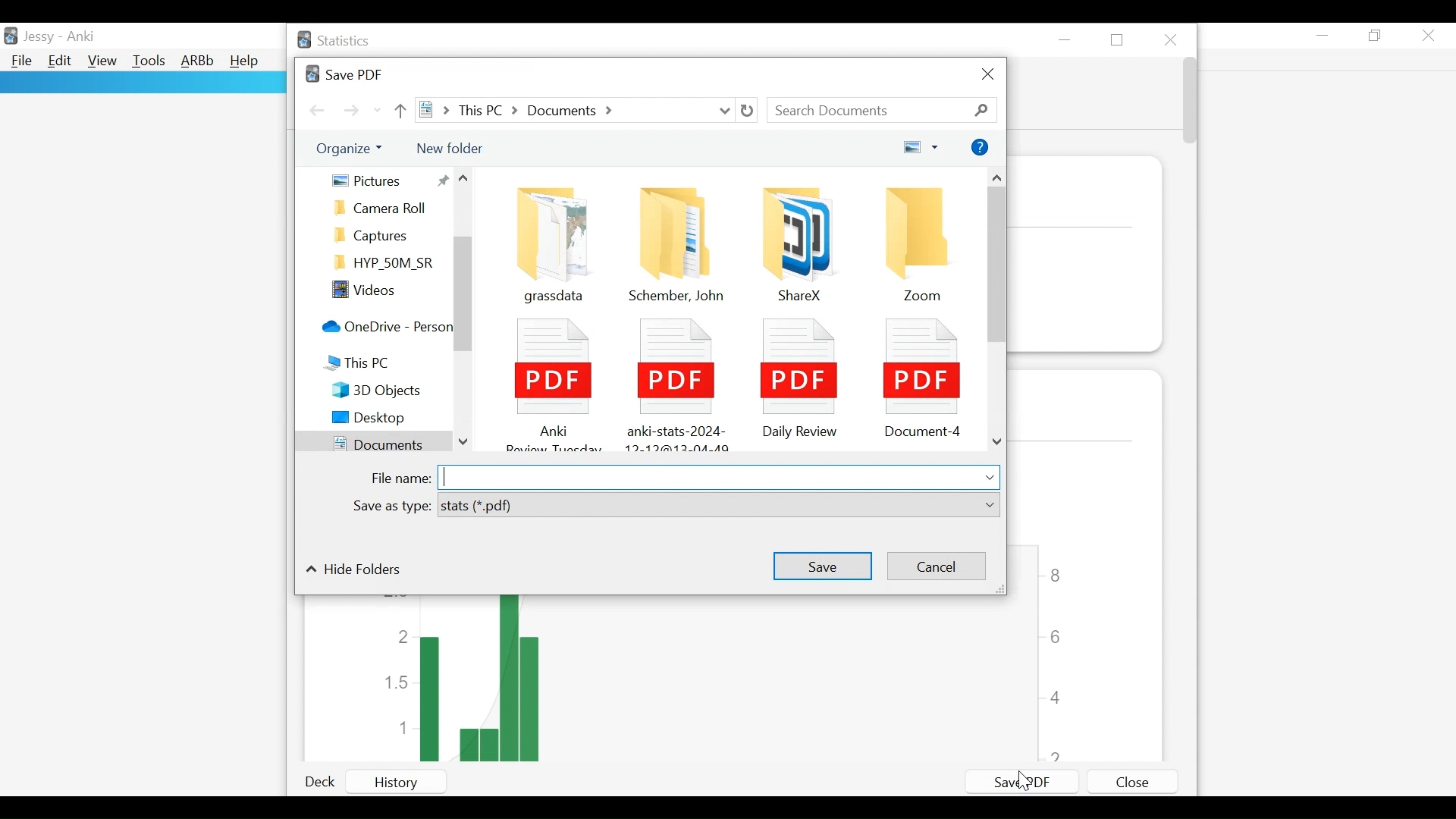 The image size is (1456, 819). I want to click on PDF, so click(921, 375).